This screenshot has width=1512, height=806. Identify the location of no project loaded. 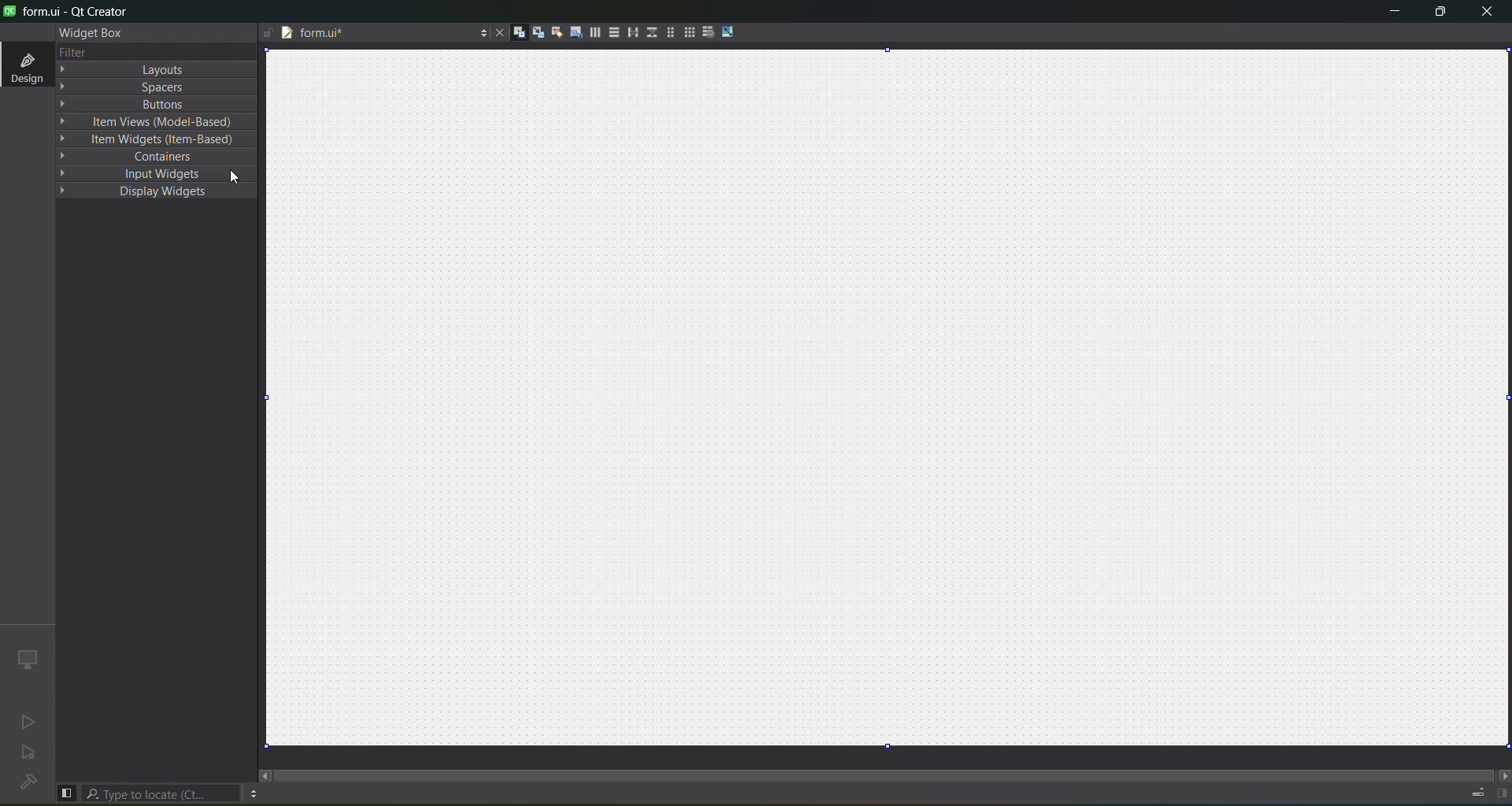
(27, 787).